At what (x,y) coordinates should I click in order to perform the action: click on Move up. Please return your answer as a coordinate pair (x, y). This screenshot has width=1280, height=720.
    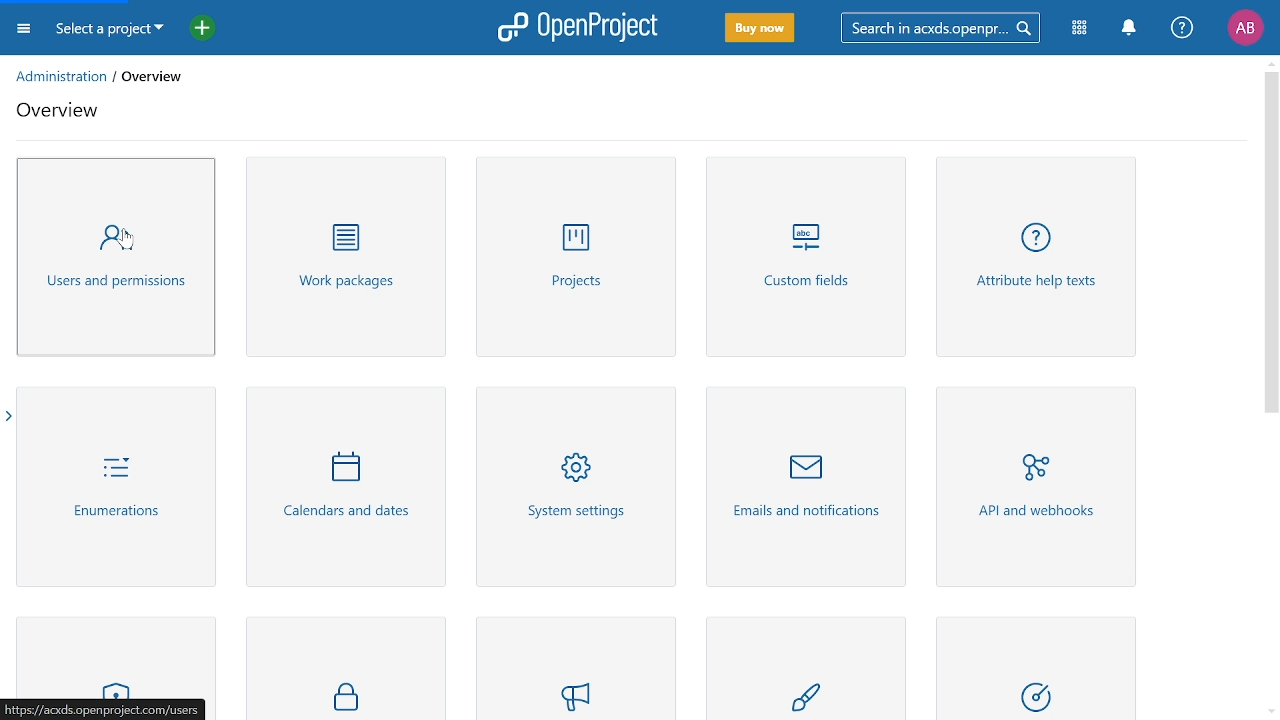
    Looking at the image, I should click on (1269, 62).